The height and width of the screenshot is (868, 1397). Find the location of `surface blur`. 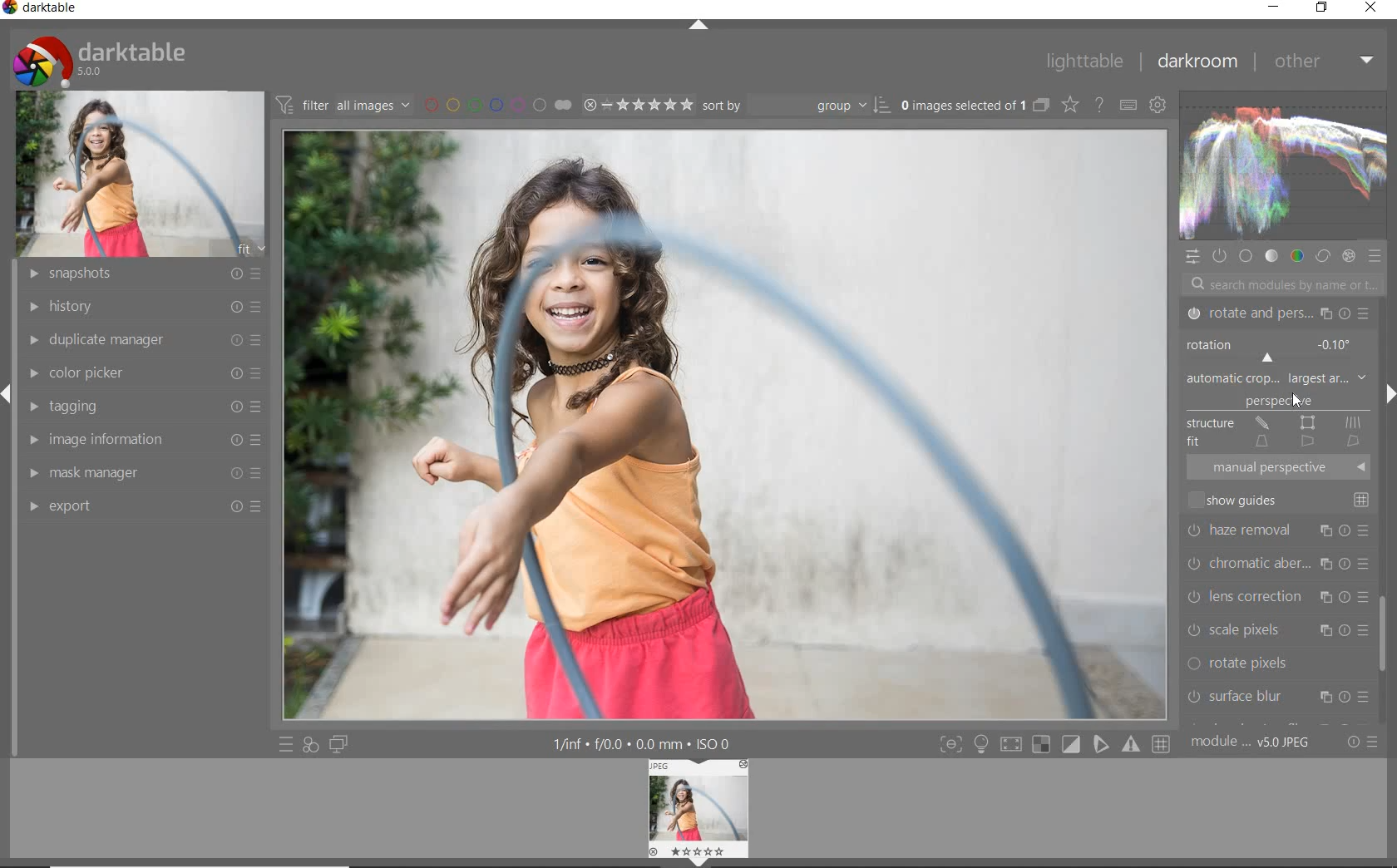

surface blur is located at coordinates (1278, 698).